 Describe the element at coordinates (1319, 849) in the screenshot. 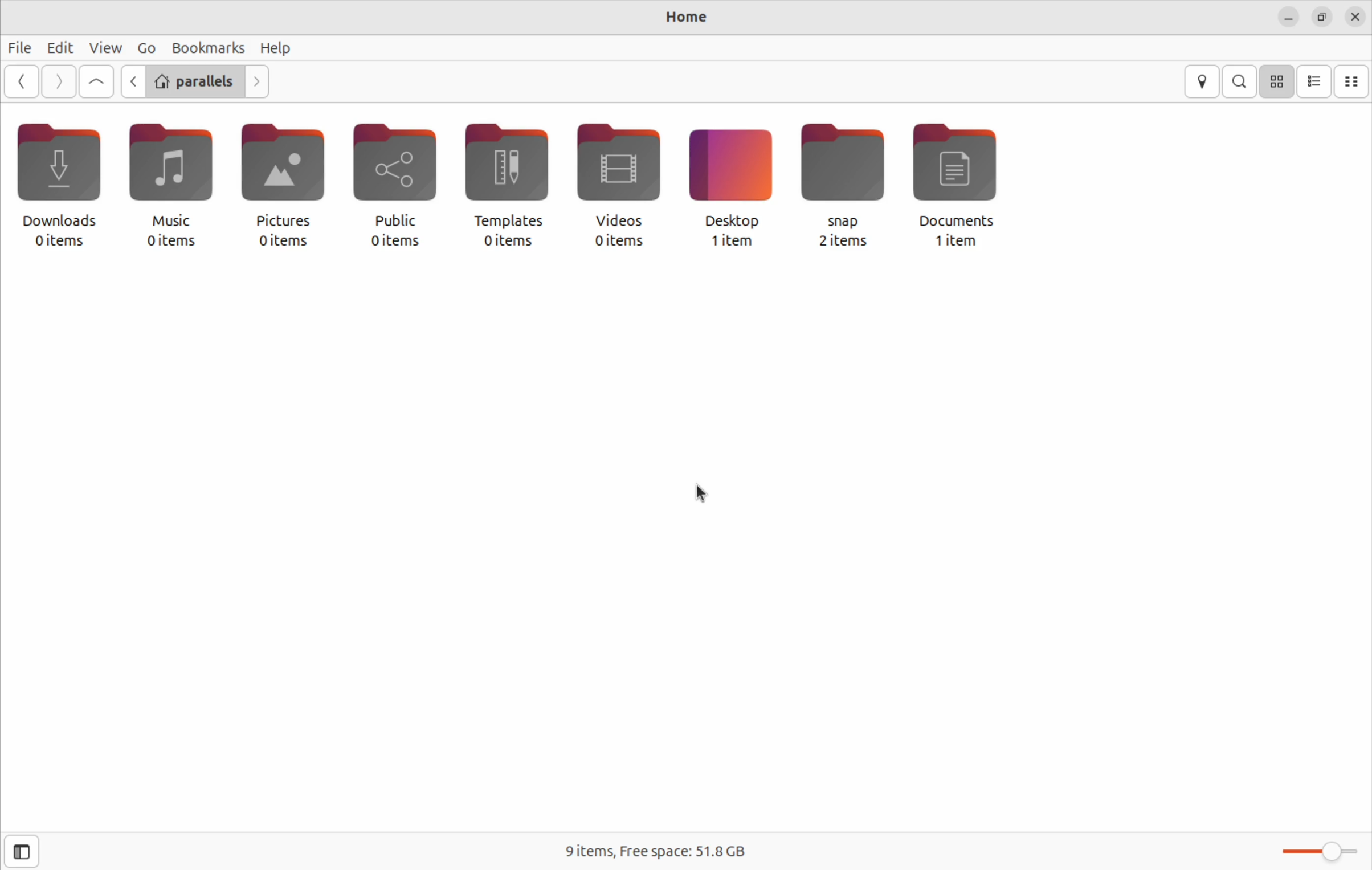

I see `toggle zoom` at that location.